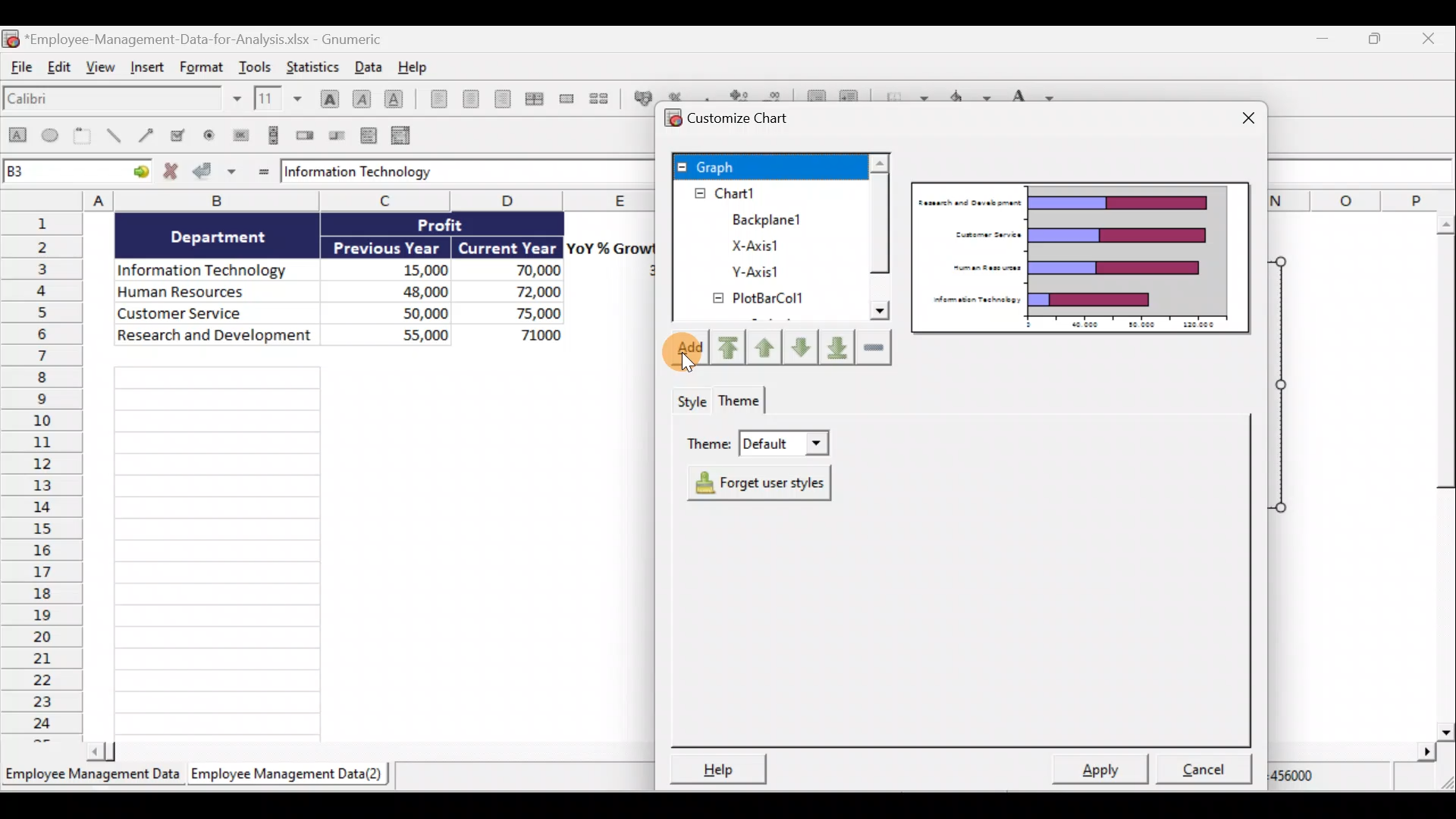 The width and height of the screenshot is (1456, 819). I want to click on Split merged range of cells, so click(599, 98).